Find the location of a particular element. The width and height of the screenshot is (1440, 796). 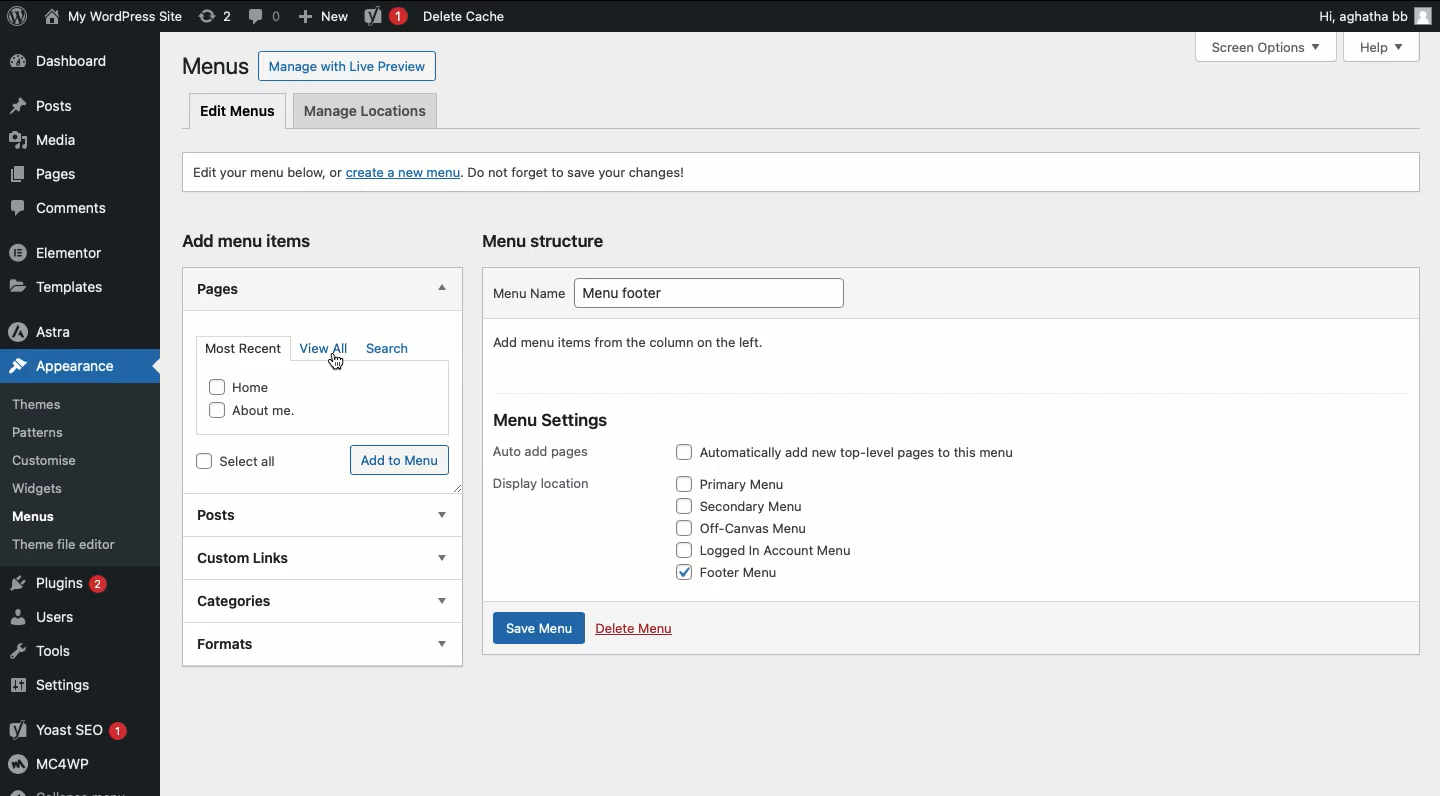

Manage locations is located at coordinates (374, 111).